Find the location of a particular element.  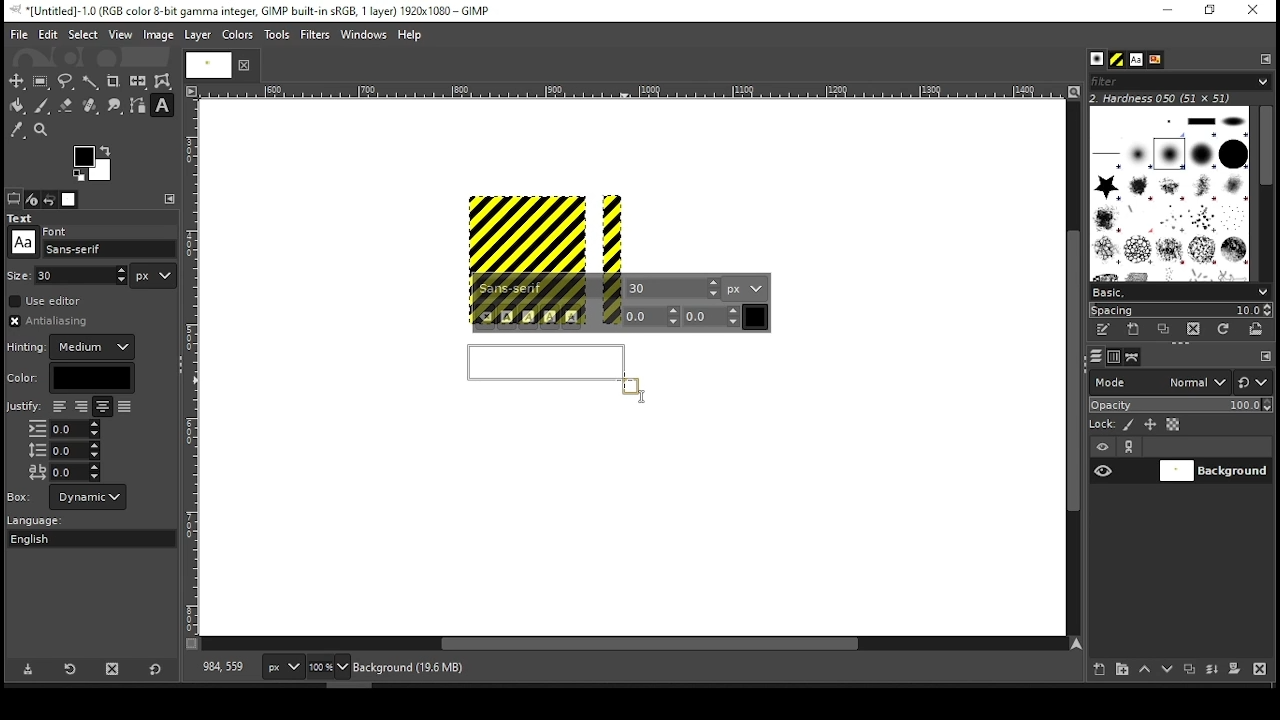

 is located at coordinates (23, 408).